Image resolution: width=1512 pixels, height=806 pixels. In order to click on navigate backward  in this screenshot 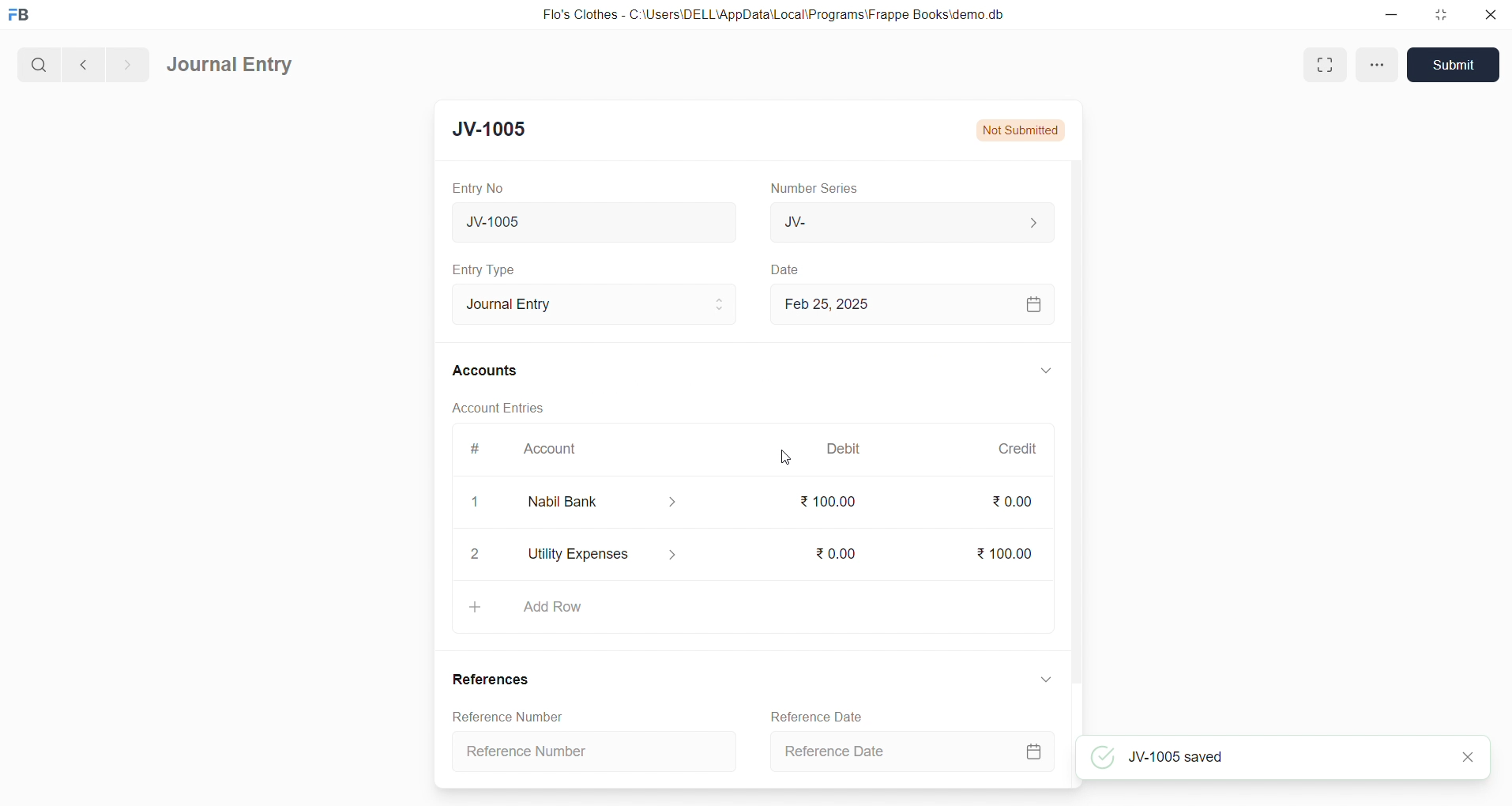, I will do `click(81, 62)`.